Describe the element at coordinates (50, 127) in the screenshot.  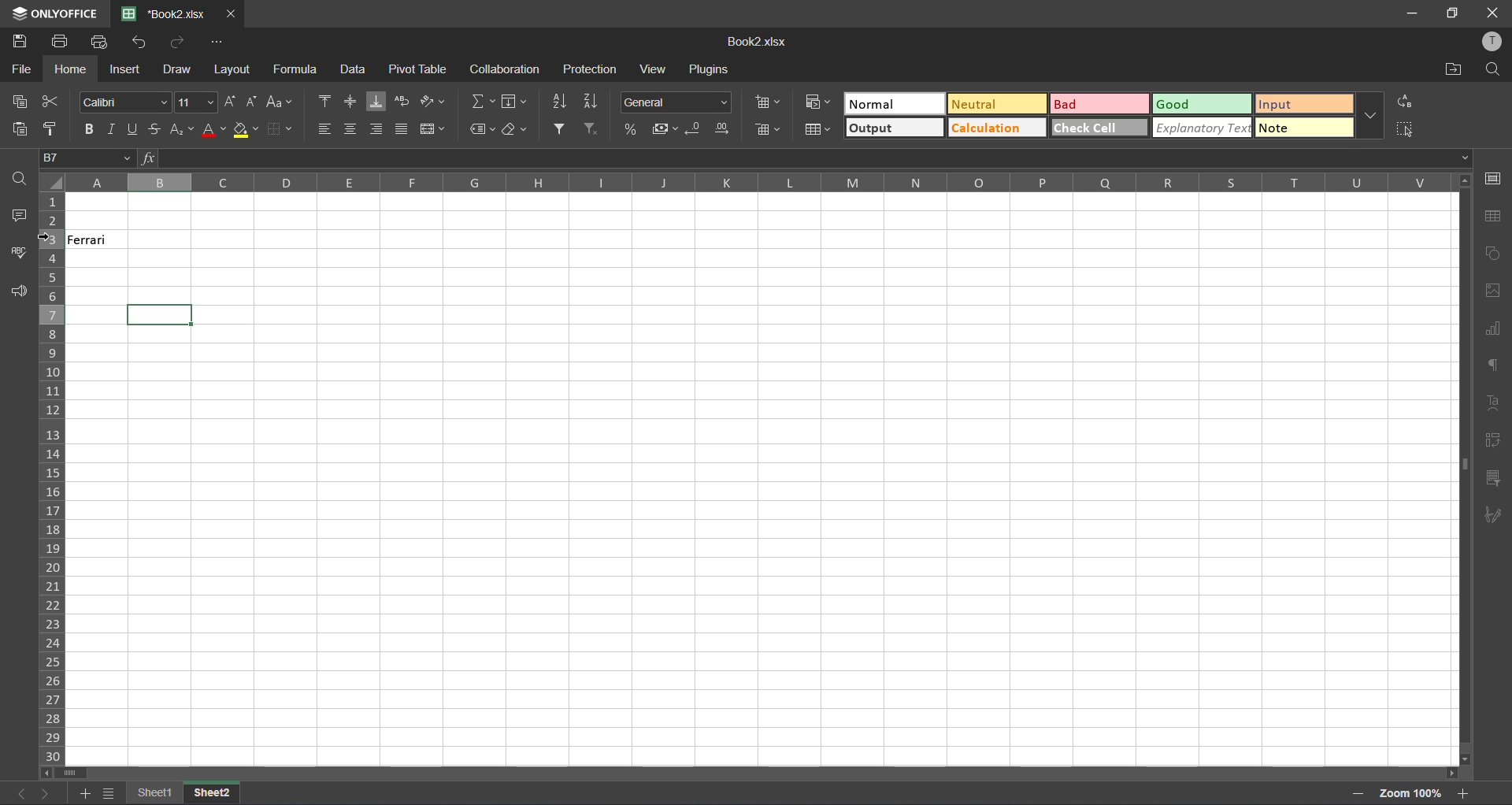
I see `copy style` at that location.